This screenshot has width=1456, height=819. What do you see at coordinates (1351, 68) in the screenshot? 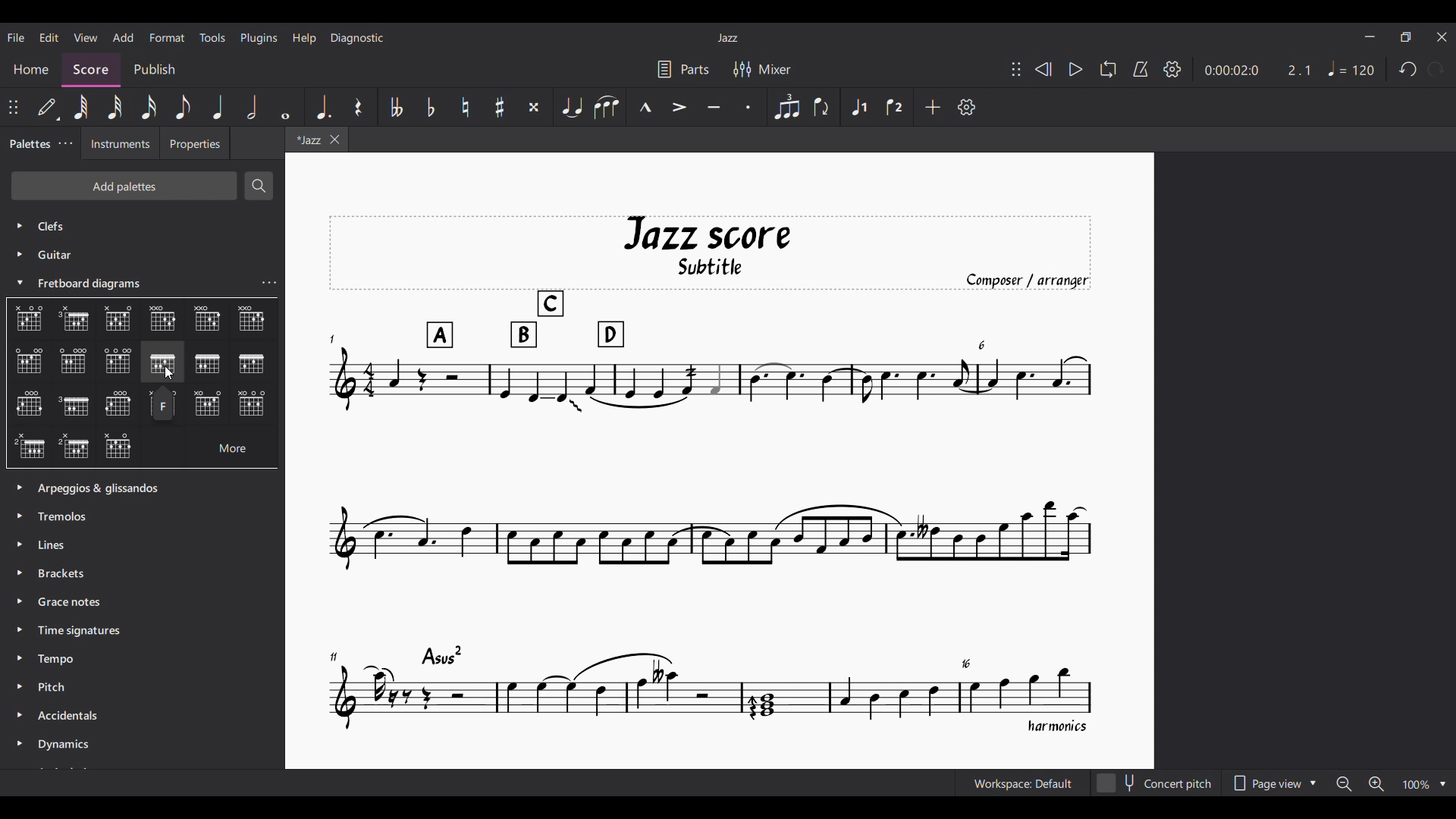
I see `Tempo` at bounding box center [1351, 68].